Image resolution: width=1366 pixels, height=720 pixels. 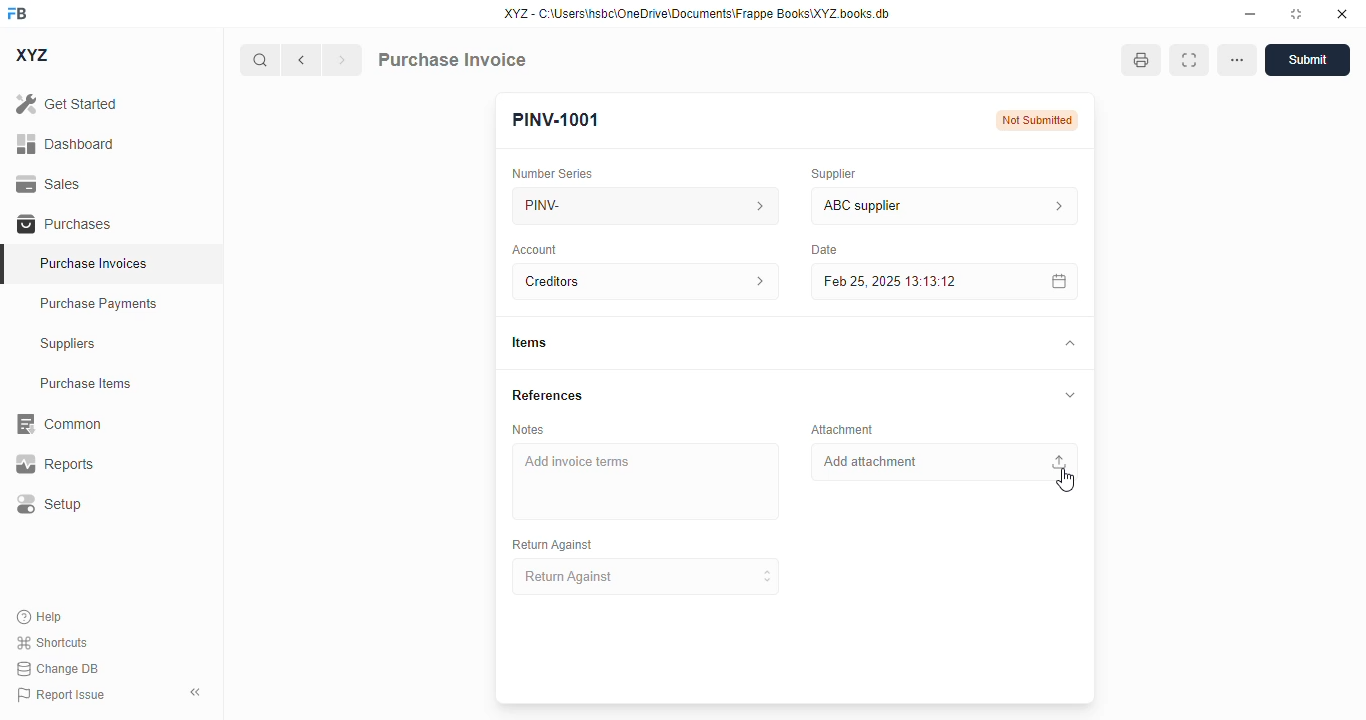 I want to click on purchase invoices, so click(x=96, y=263).